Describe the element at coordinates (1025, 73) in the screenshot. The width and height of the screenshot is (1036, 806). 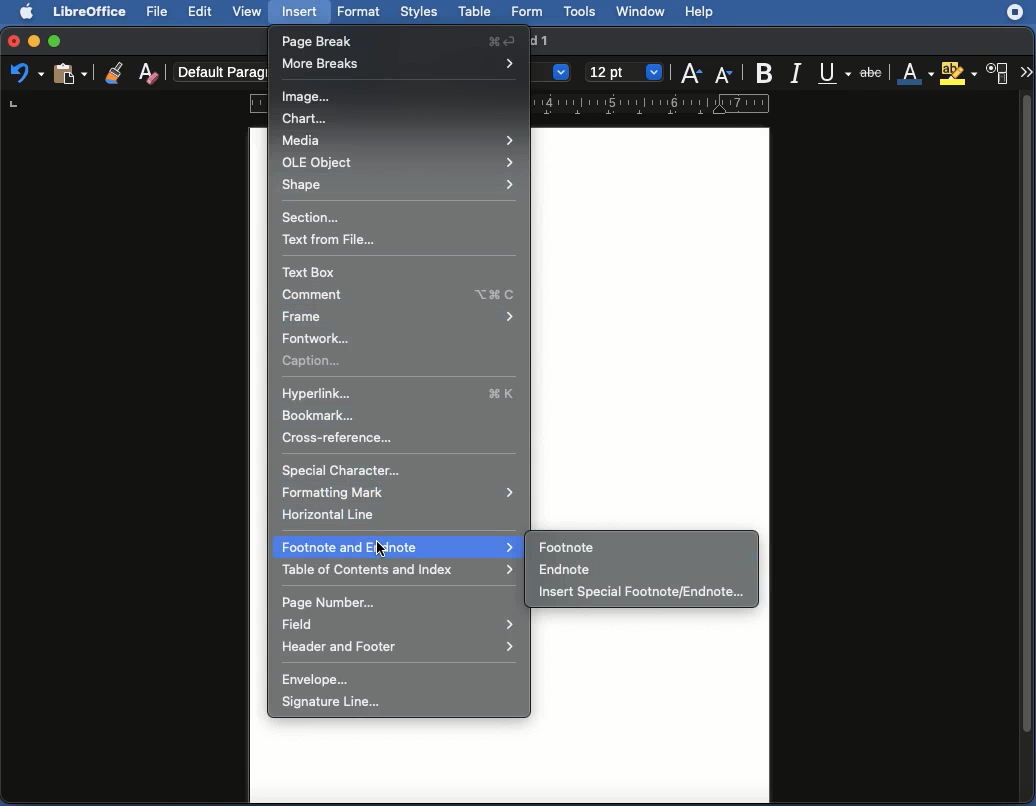
I see `More` at that location.